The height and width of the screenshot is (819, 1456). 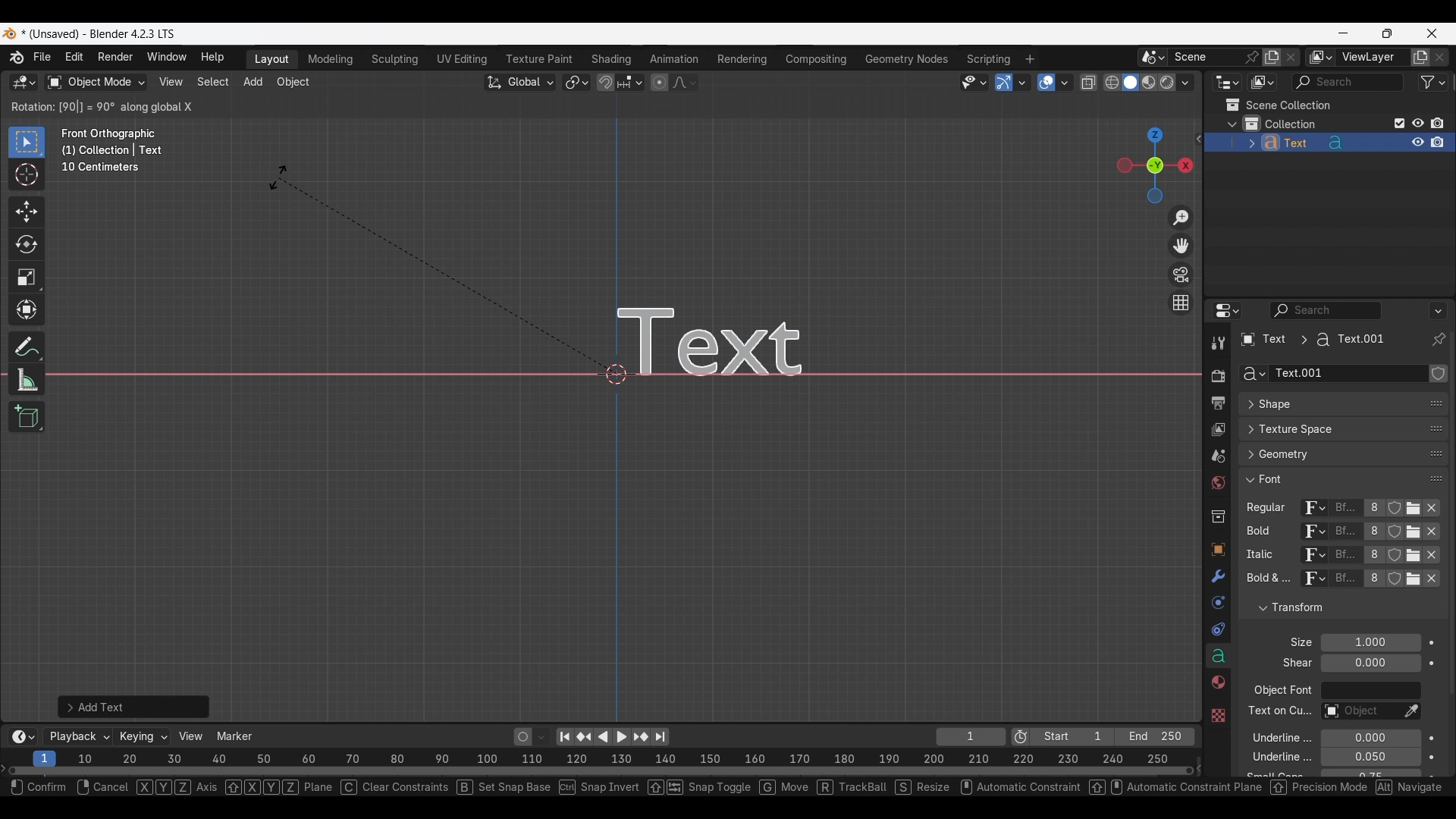 What do you see at coordinates (541, 737) in the screenshot?
I see `Auto keyframing` at bounding box center [541, 737].